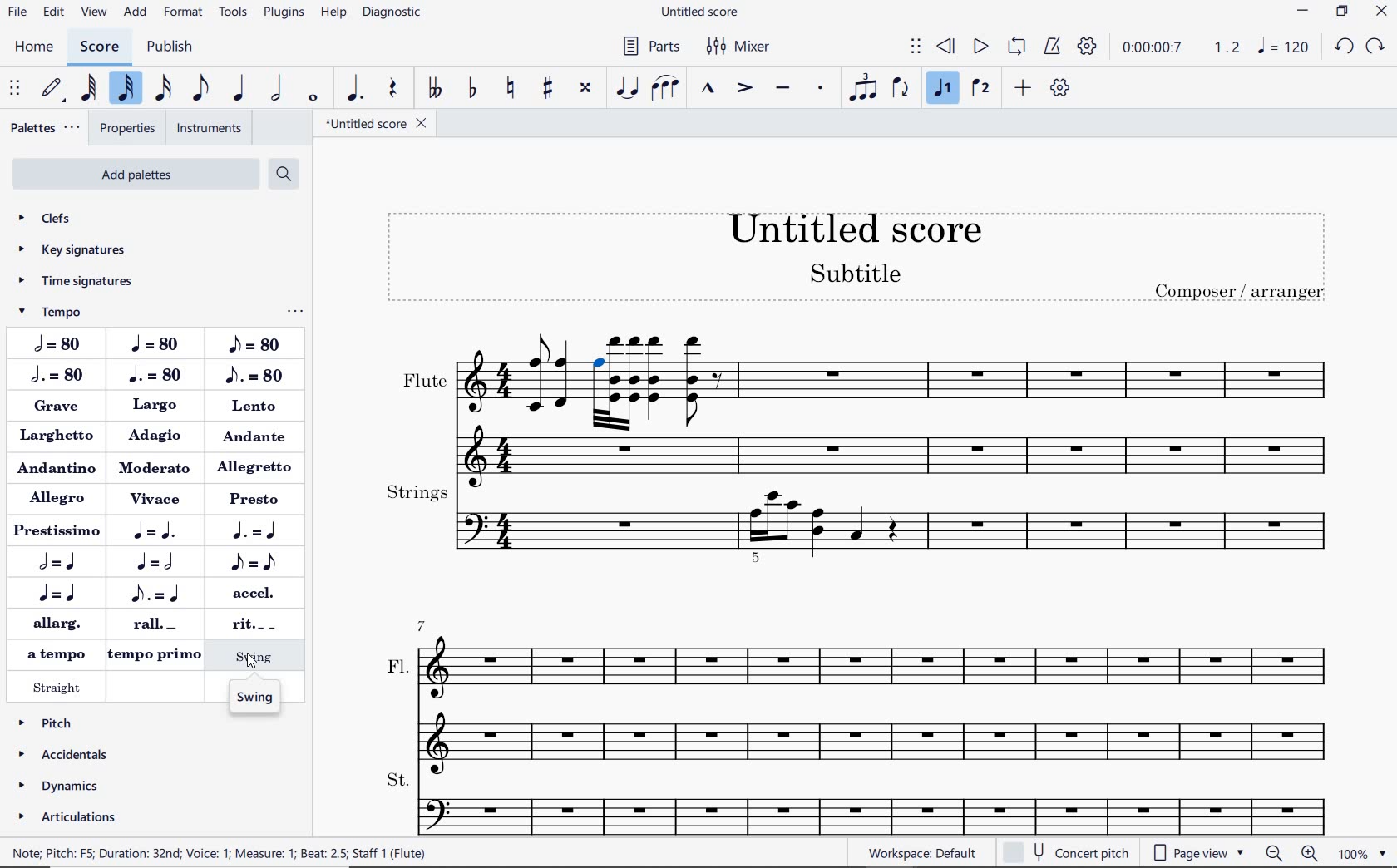 The width and height of the screenshot is (1397, 868). What do you see at coordinates (99, 46) in the screenshot?
I see `score` at bounding box center [99, 46].